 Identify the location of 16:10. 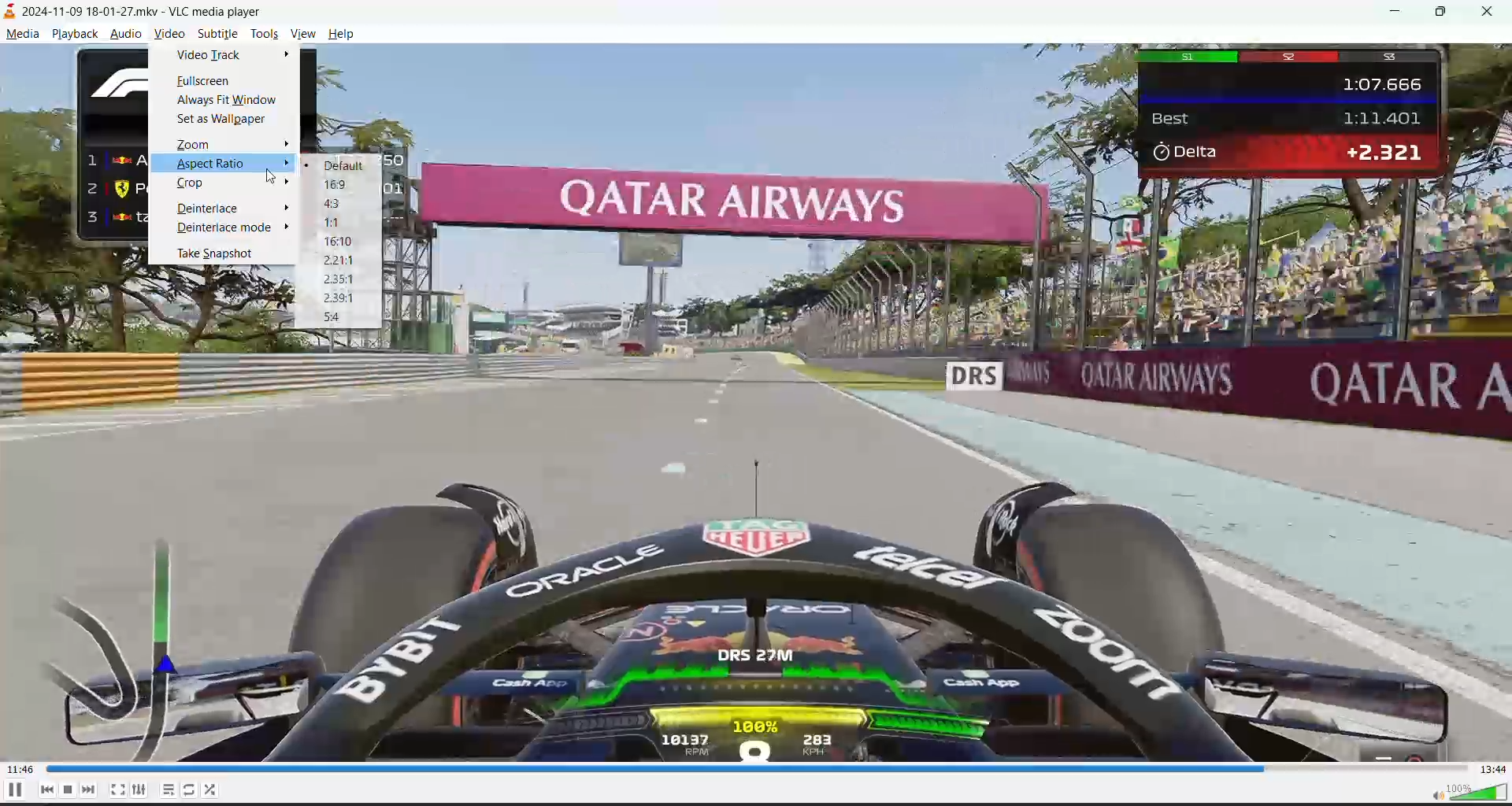
(341, 242).